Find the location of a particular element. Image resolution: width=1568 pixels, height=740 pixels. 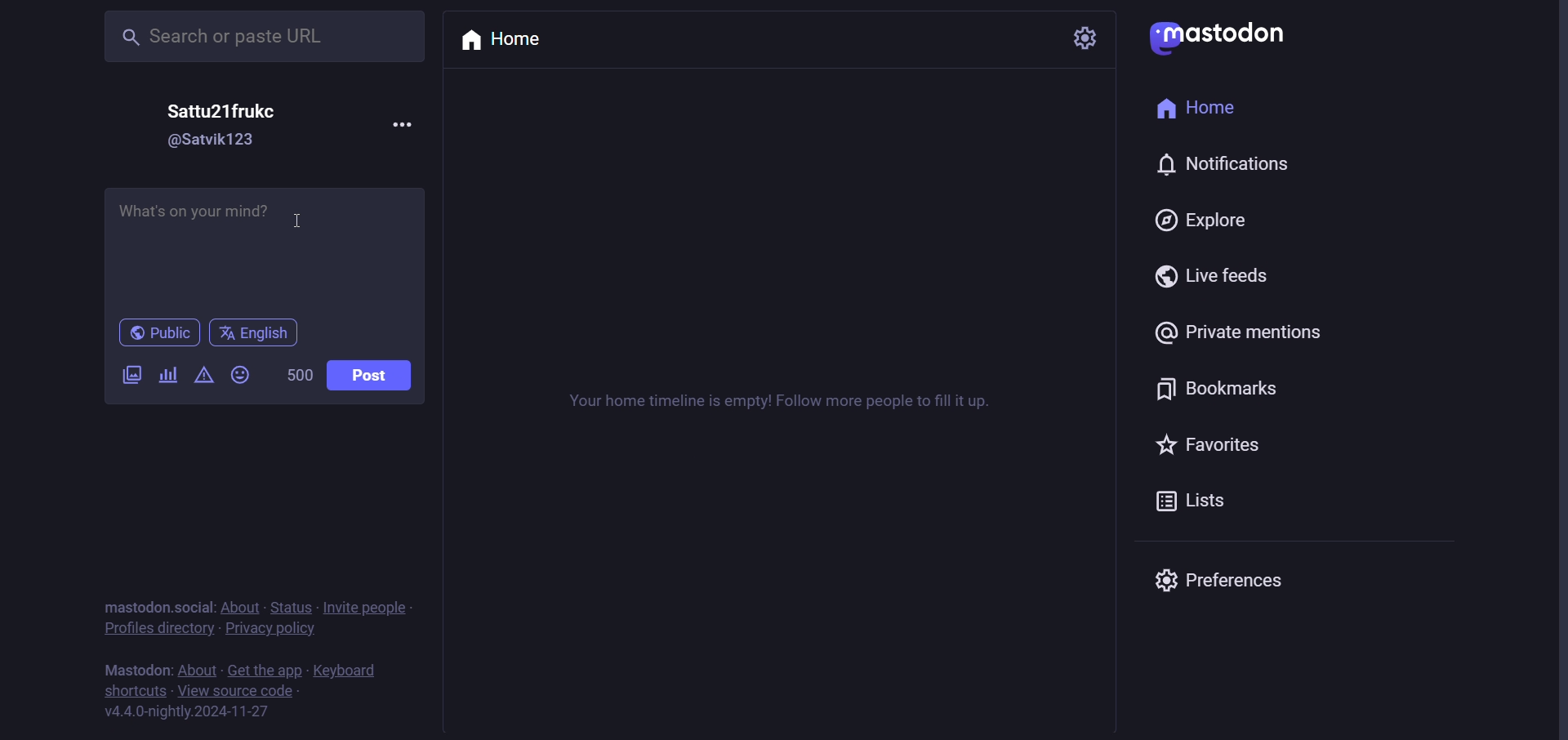

Profiles directory is located at coordinates (156, 629).